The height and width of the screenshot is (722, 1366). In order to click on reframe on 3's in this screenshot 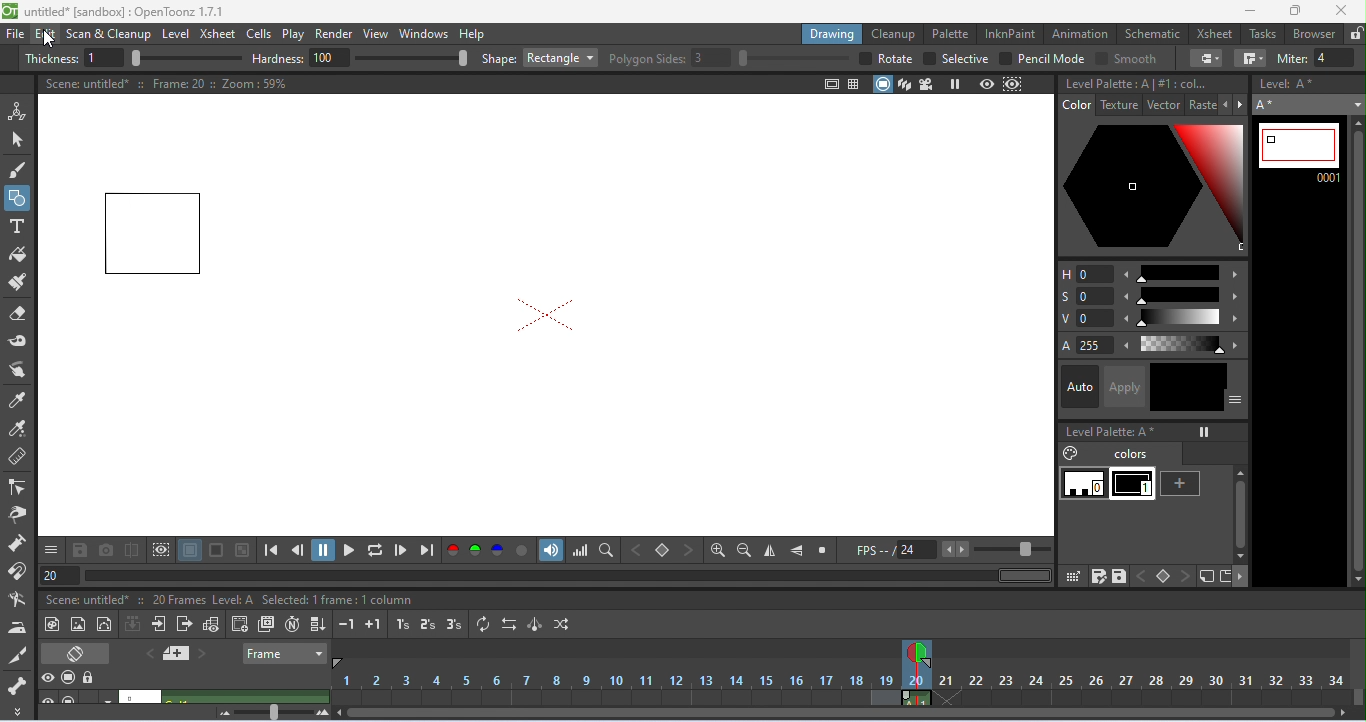, I will do `click(454, 624)`.